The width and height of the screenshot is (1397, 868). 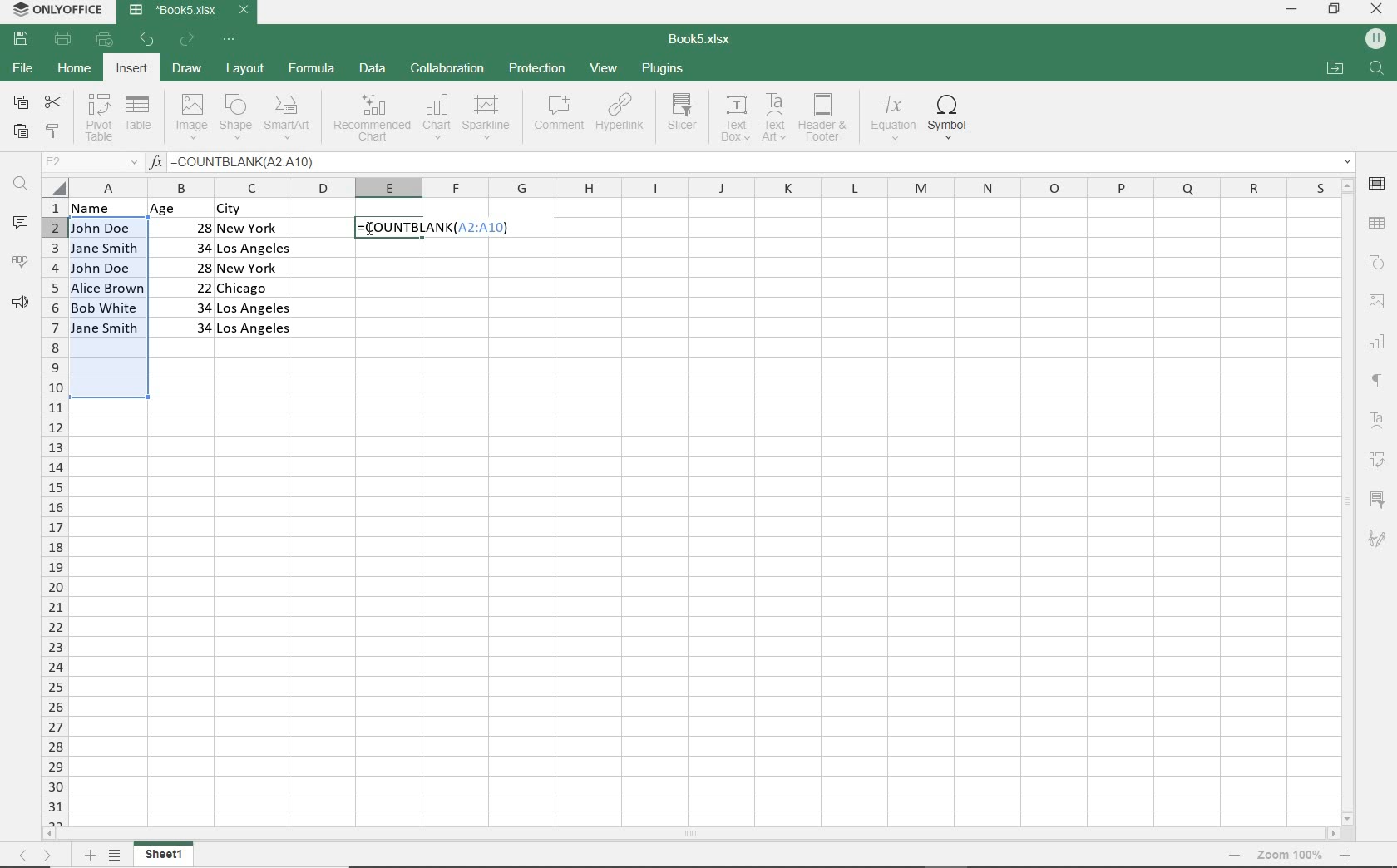 What do you see at coordinates (147, 40) in the screenshot?
I see `UNDO` at bounding box center [147, 40].